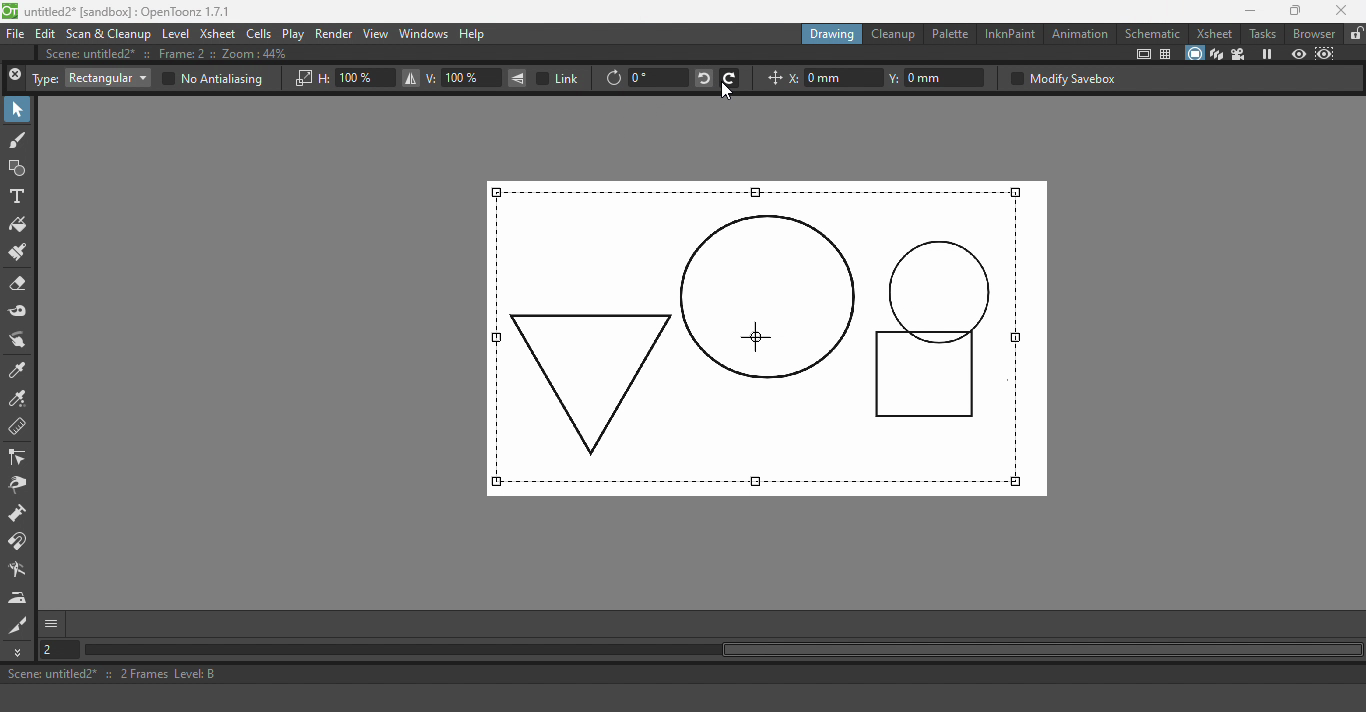 The image size is (1366, 712). What do you see at coordinates (15, 77) in the screenshot?
I see `Close` at bounding box center [15, 77].